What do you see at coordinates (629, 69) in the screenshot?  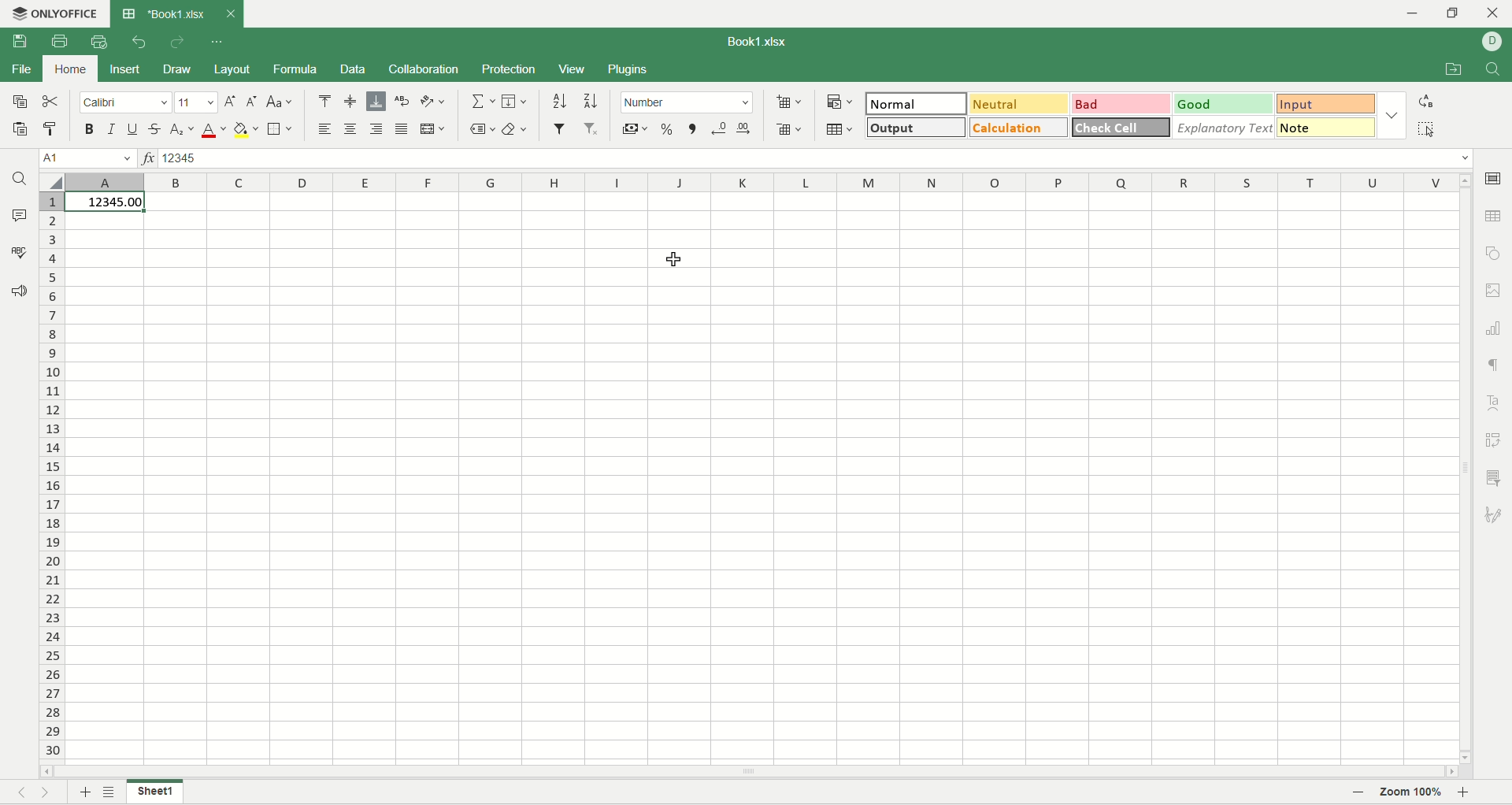 I see `plugins` at bounding box center [629, 69].